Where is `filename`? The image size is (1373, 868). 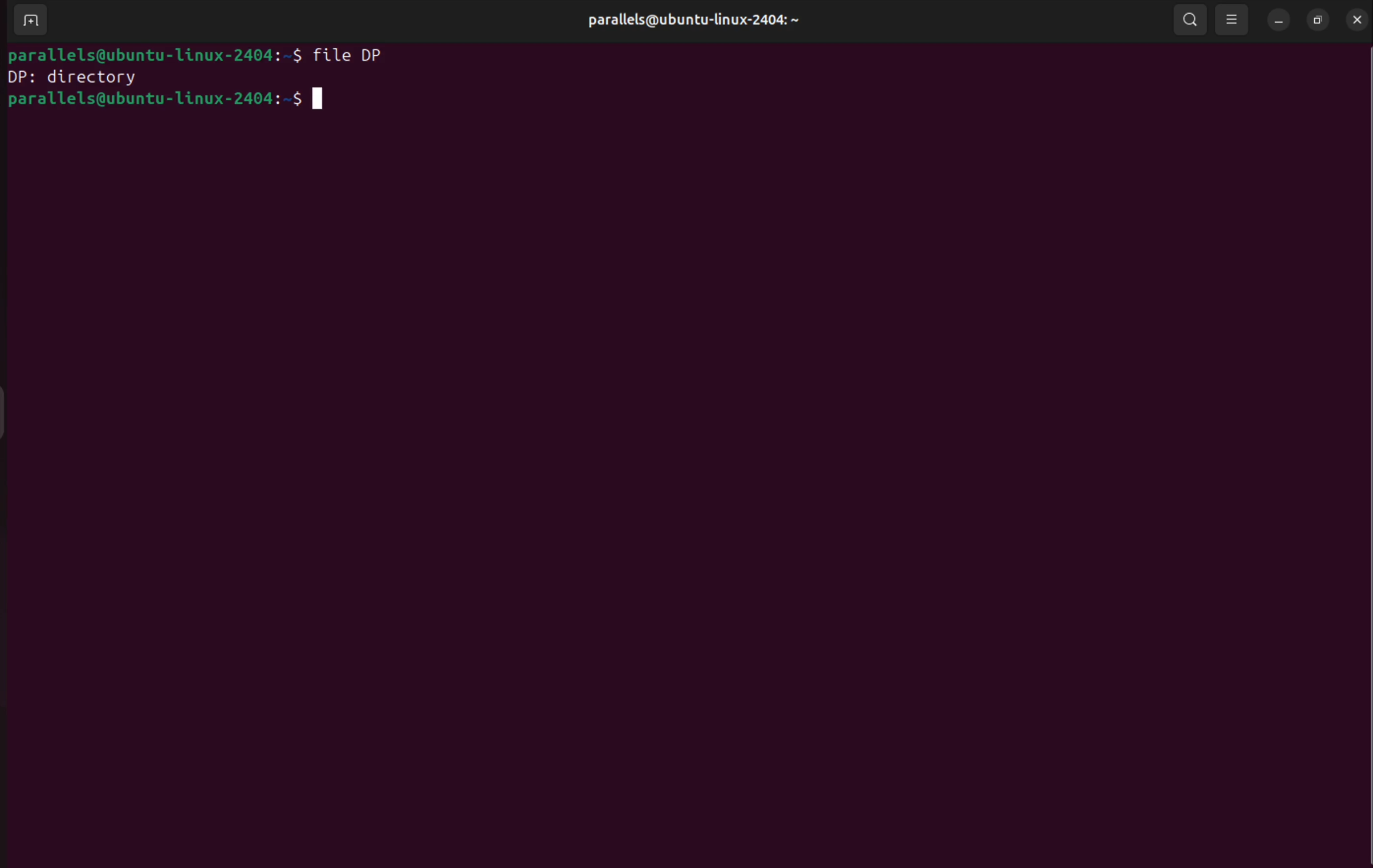
filename is located at coordinates (21, 76).